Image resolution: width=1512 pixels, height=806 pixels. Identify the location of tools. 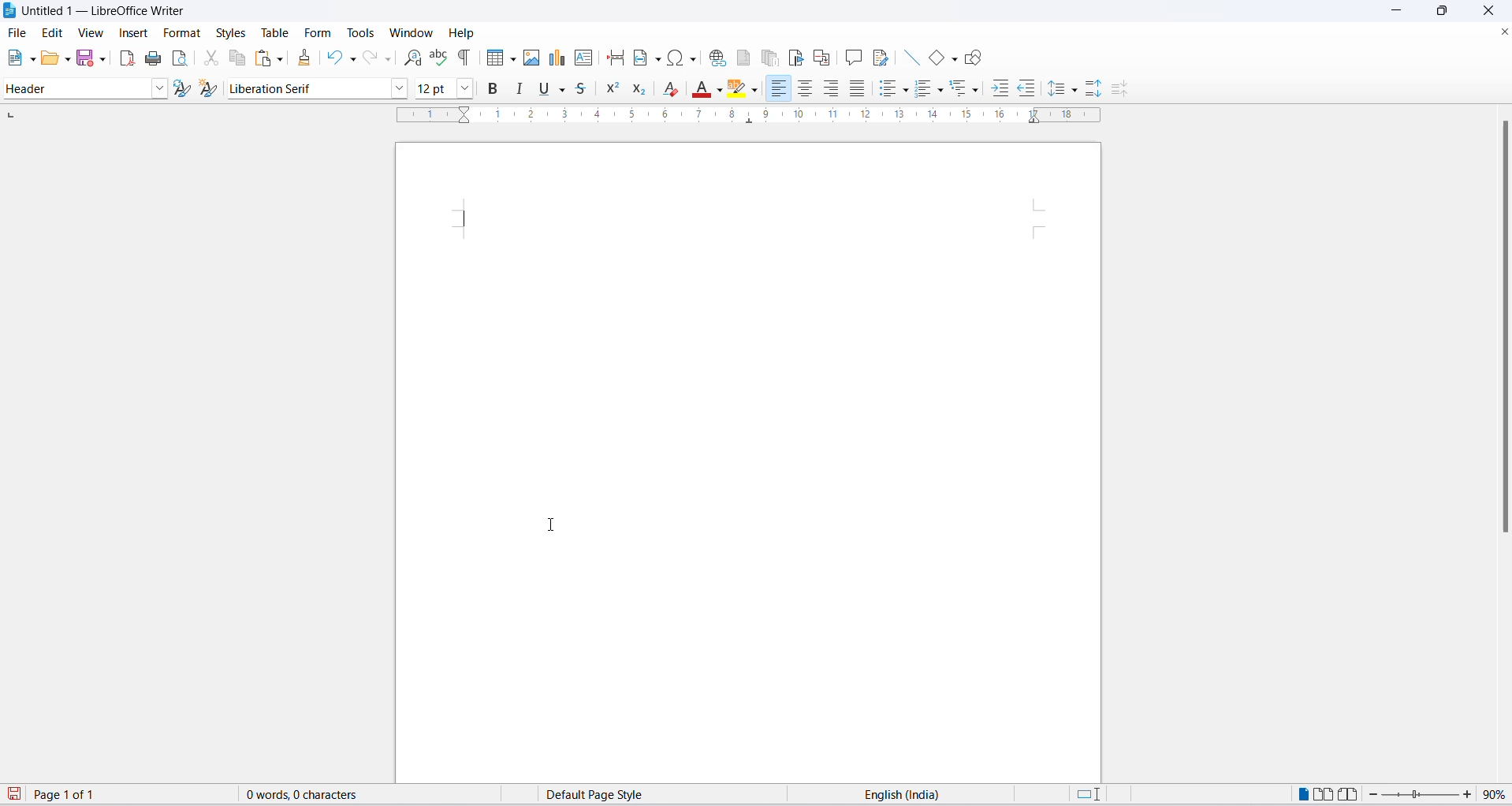
(362, 31).